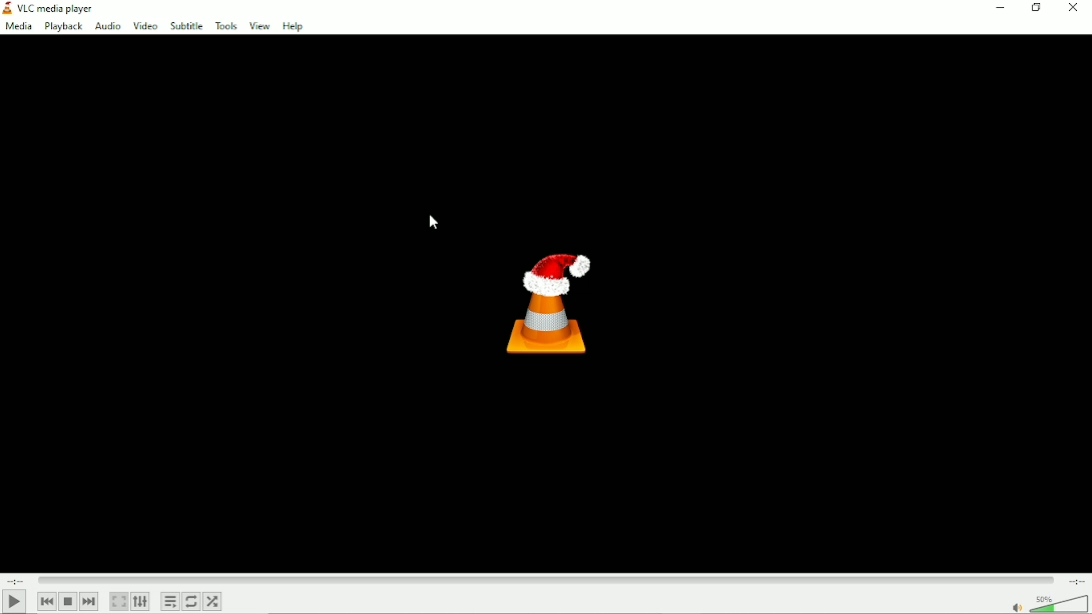 Image resolution: width=1092 pixels, height=614 pixels. I want to click on Subtitle, so click(186, 26).